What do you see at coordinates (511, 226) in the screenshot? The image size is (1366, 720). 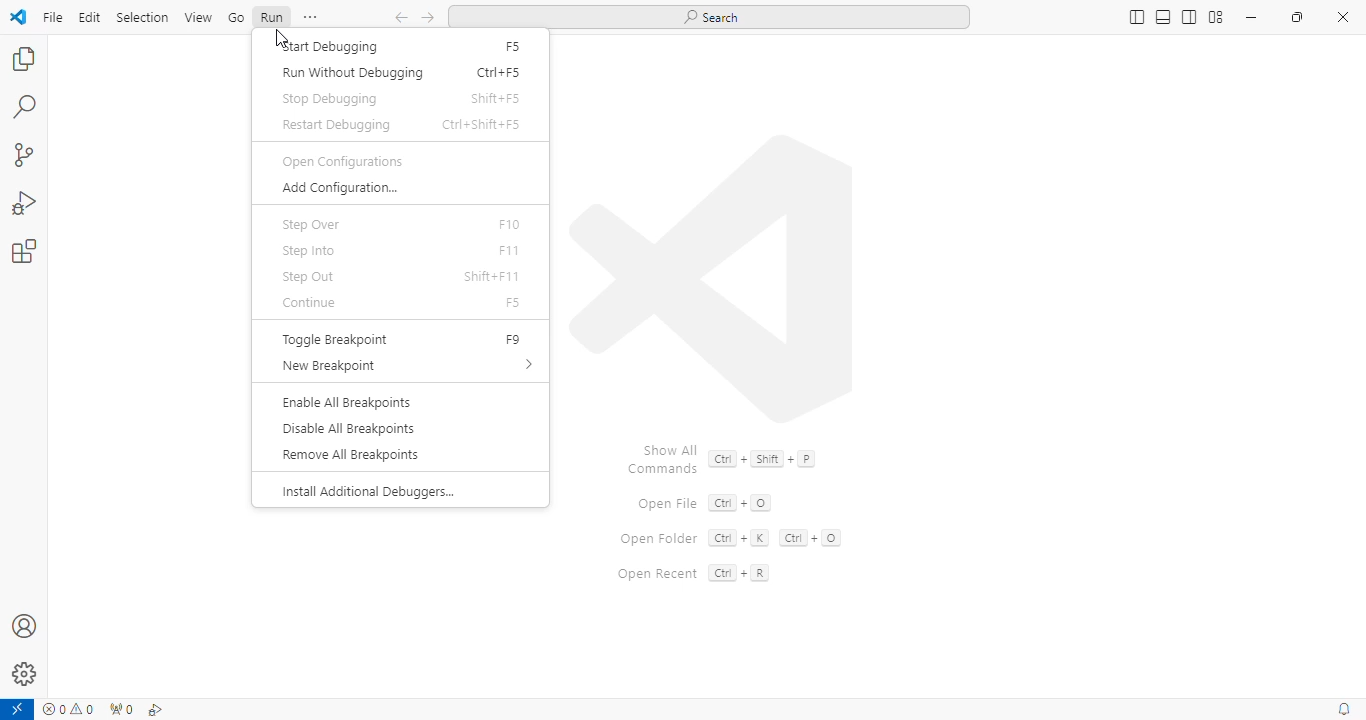 I see `f10` at bounding box center [511, 226].